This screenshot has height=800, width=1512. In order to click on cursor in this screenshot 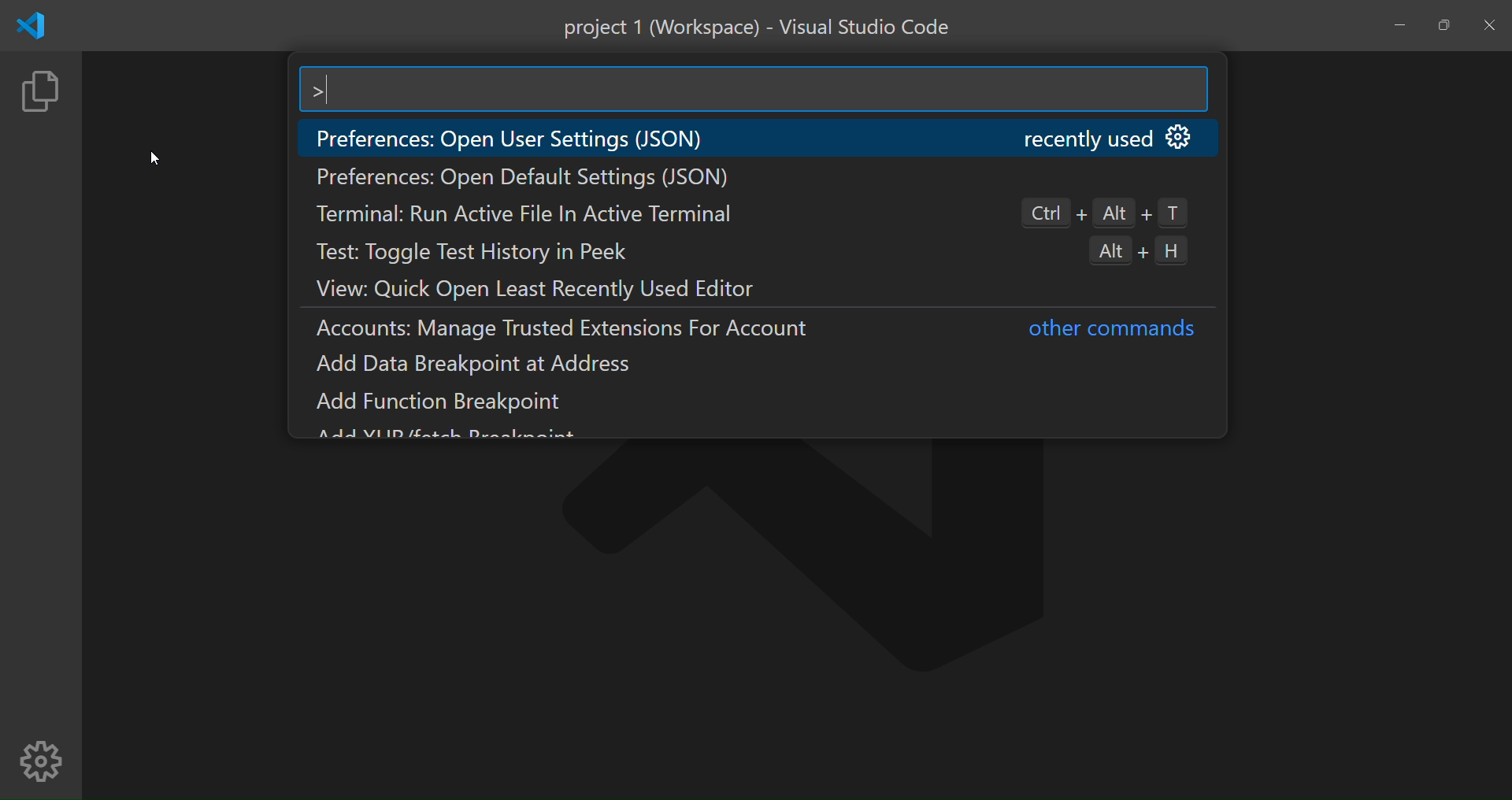, I will do `click(154, 155)`.